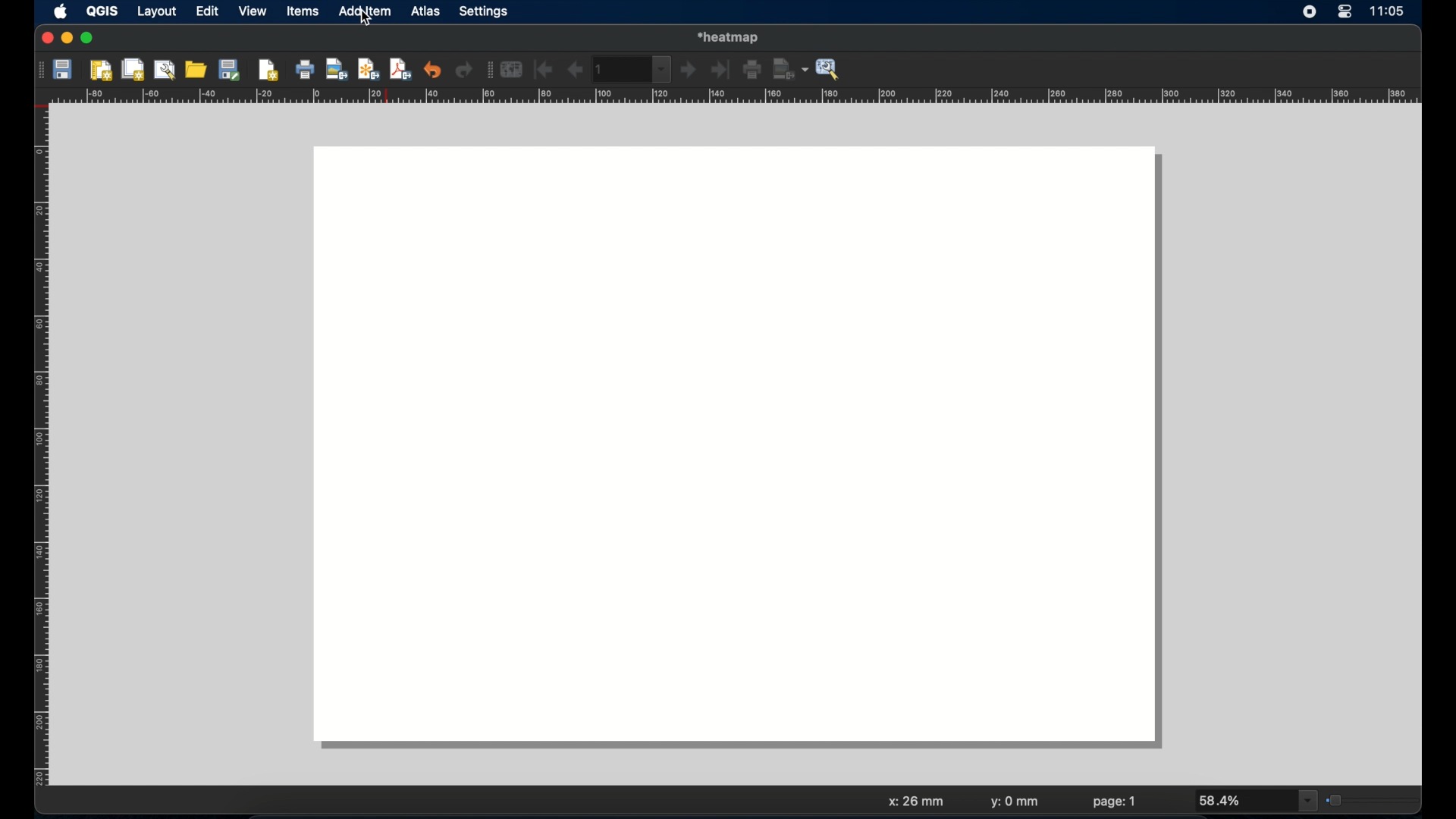 This screenshot has width=1456, height=819. I want to click on drag hadle, so click(37, 69).